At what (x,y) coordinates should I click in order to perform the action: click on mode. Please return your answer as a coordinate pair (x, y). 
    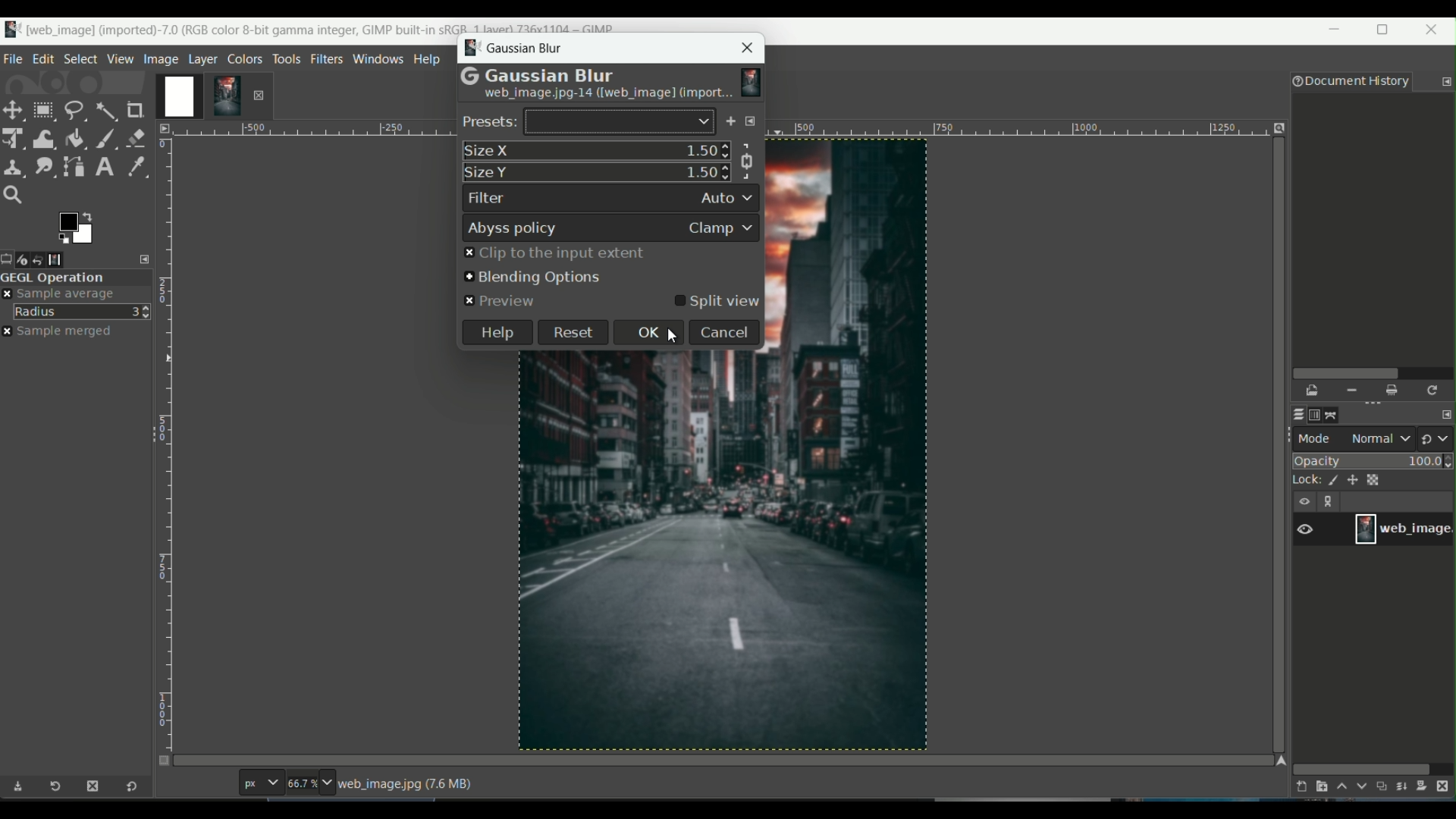
    Looking at the image, I should click on (1355, 438).